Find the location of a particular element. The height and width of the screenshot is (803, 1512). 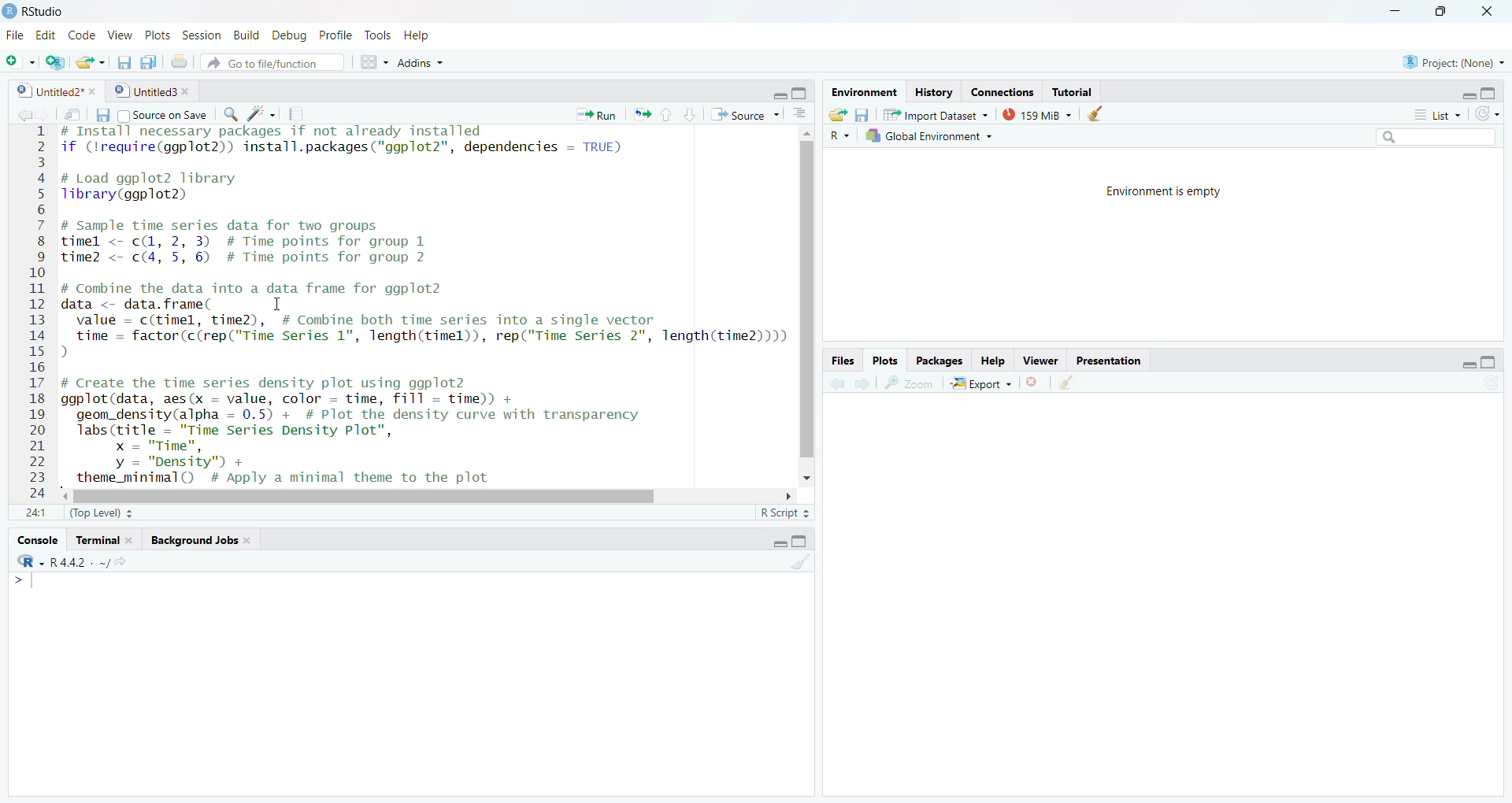

Maximize is located at coordinates (1489, 93).